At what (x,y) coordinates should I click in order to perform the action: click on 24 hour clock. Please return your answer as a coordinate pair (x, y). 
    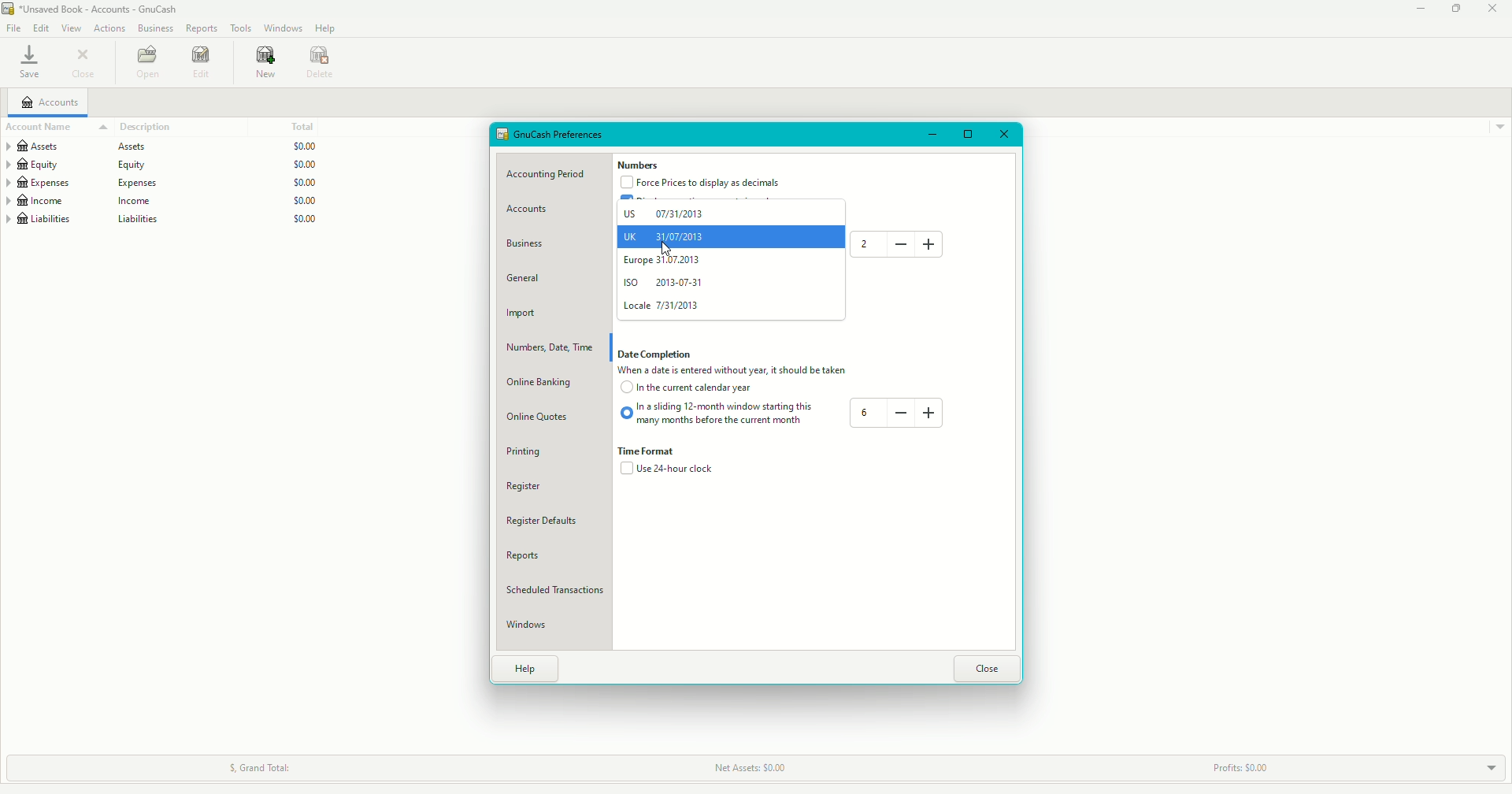
    Looking at the image, I should click on (668, 472).